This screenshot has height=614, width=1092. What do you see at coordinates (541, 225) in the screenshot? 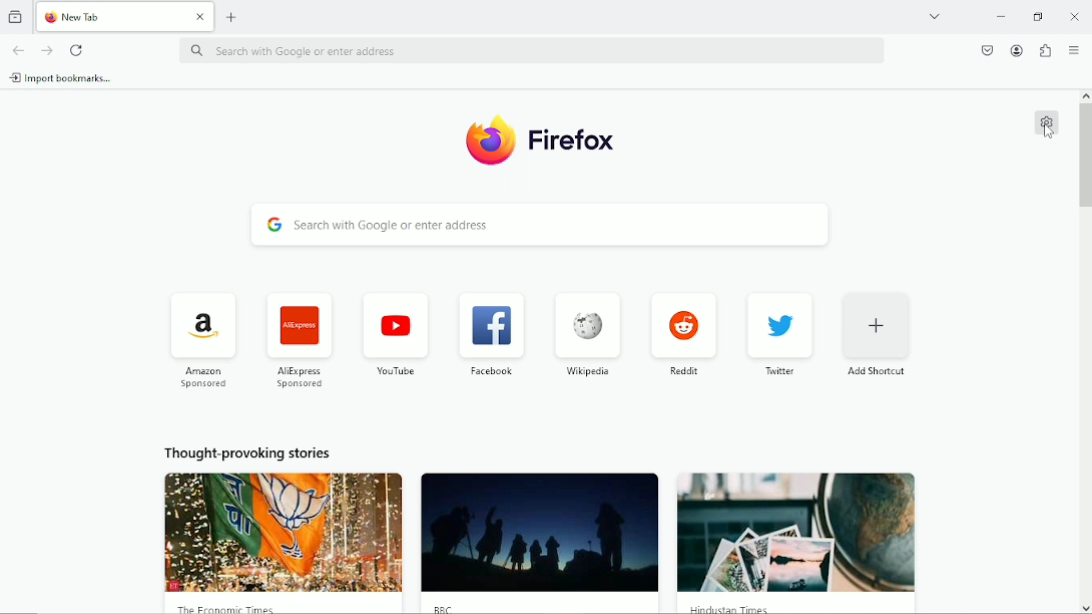
I see `Search with Google or enter address` at bounding box center [541, 225].